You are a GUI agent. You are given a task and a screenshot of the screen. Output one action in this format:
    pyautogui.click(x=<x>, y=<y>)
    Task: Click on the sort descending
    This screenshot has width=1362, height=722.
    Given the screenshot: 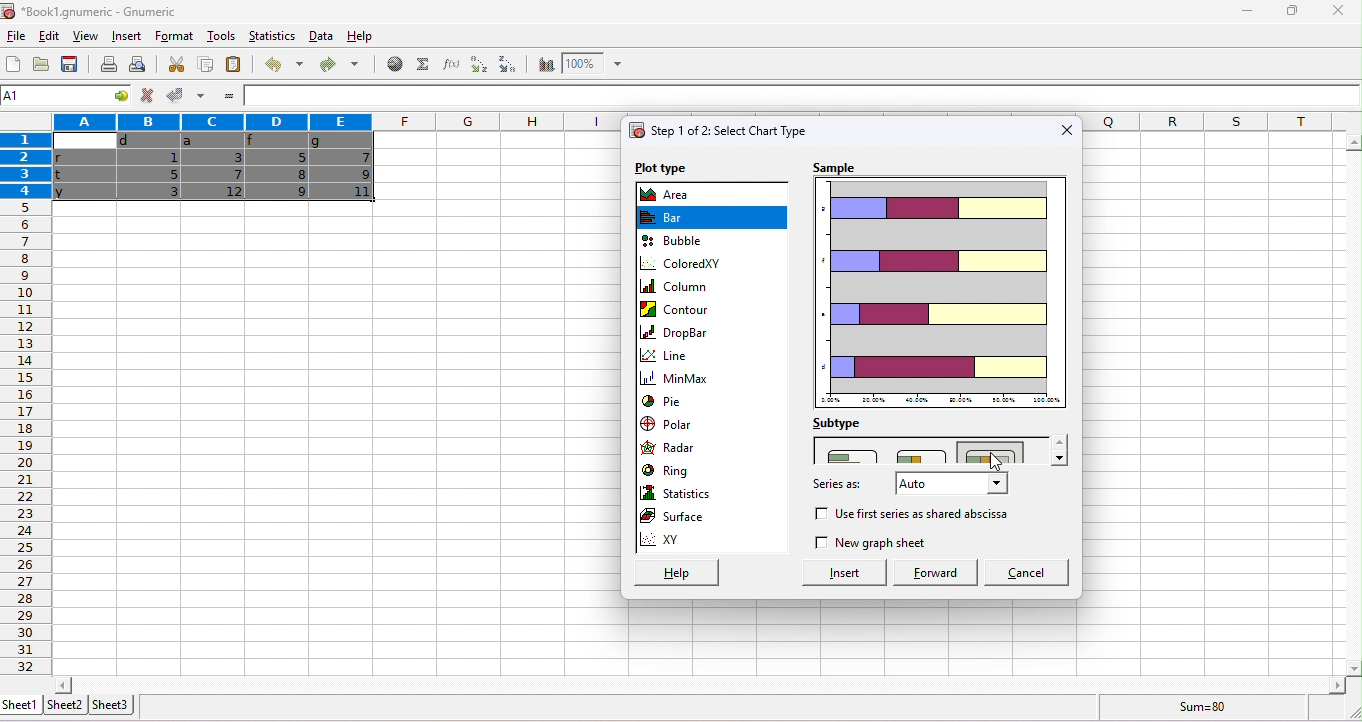 What is the action you would take?
    pyautogui.click(x=508, y=64)
    